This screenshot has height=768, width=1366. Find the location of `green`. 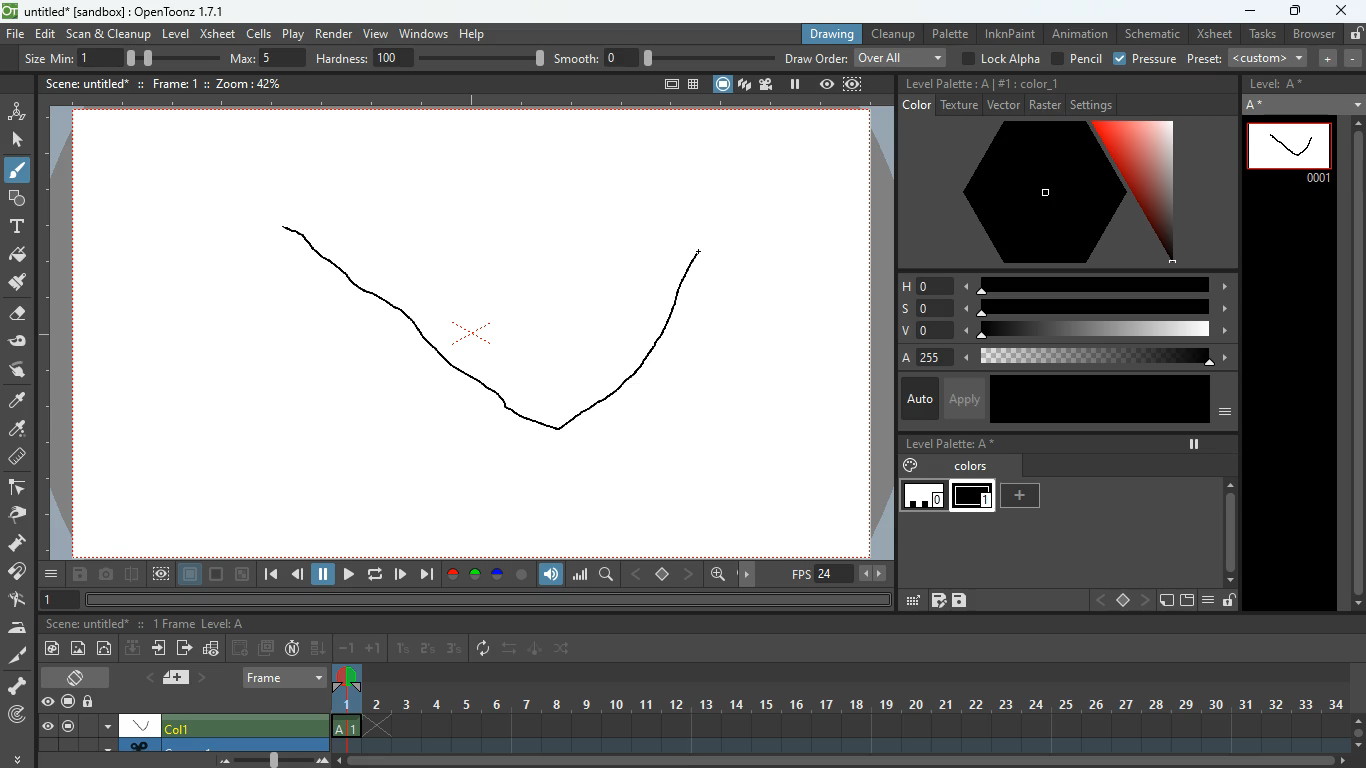

green is located at coordinates (475, 575).